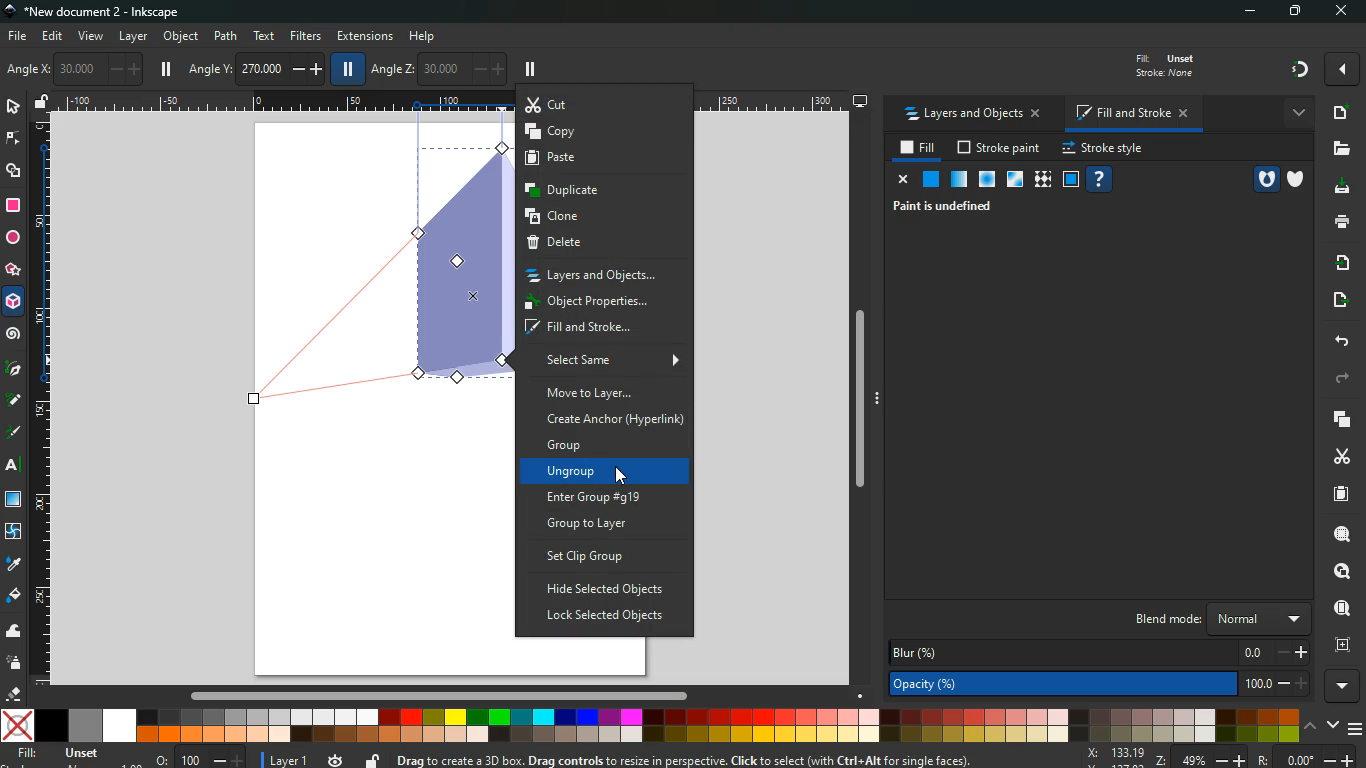  Describe the element at coordinates (365, 37) in the screenshot. I see `extensions` at that location.